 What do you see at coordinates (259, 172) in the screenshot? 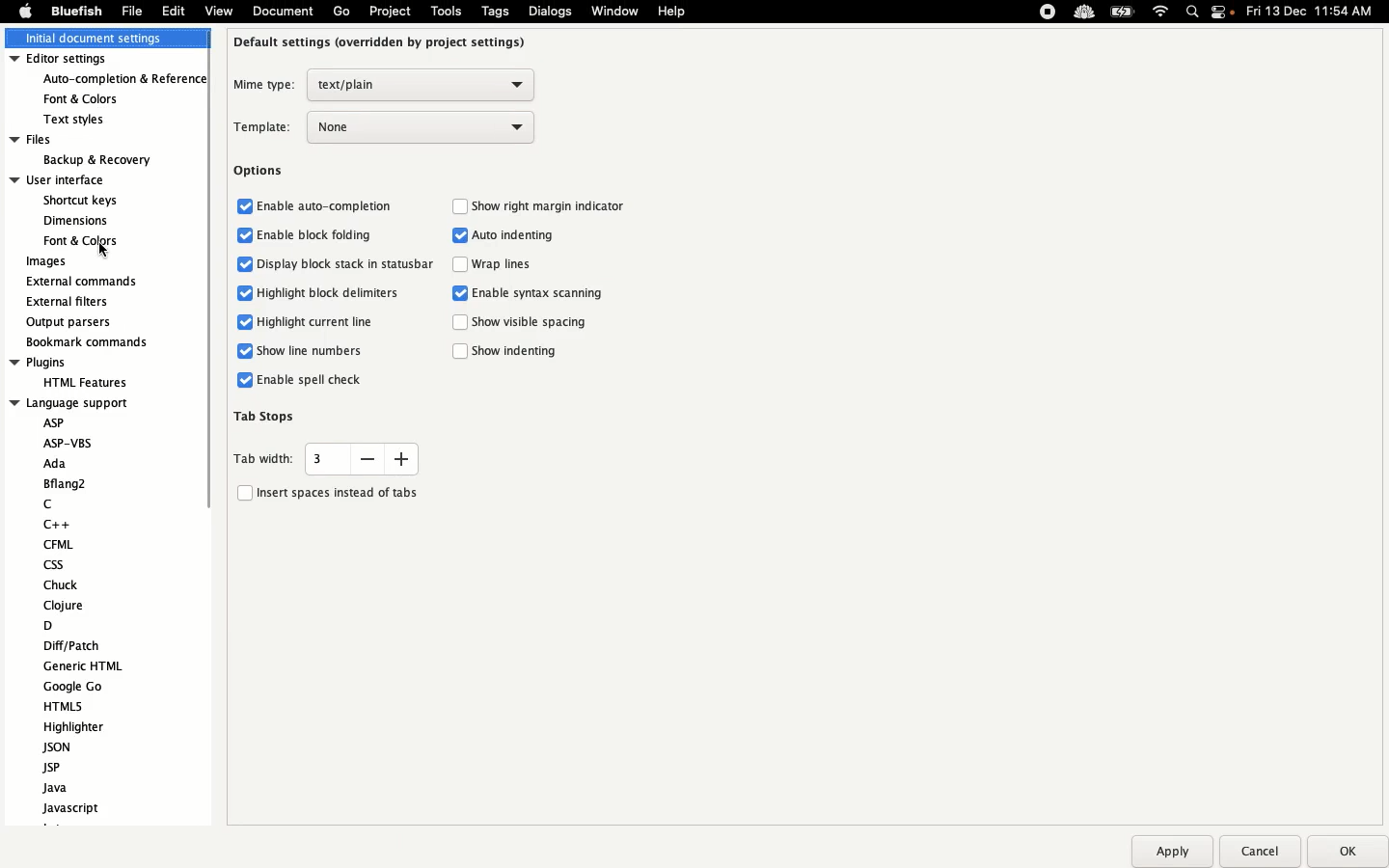
I see `Options` at bounding box center [259, 172].